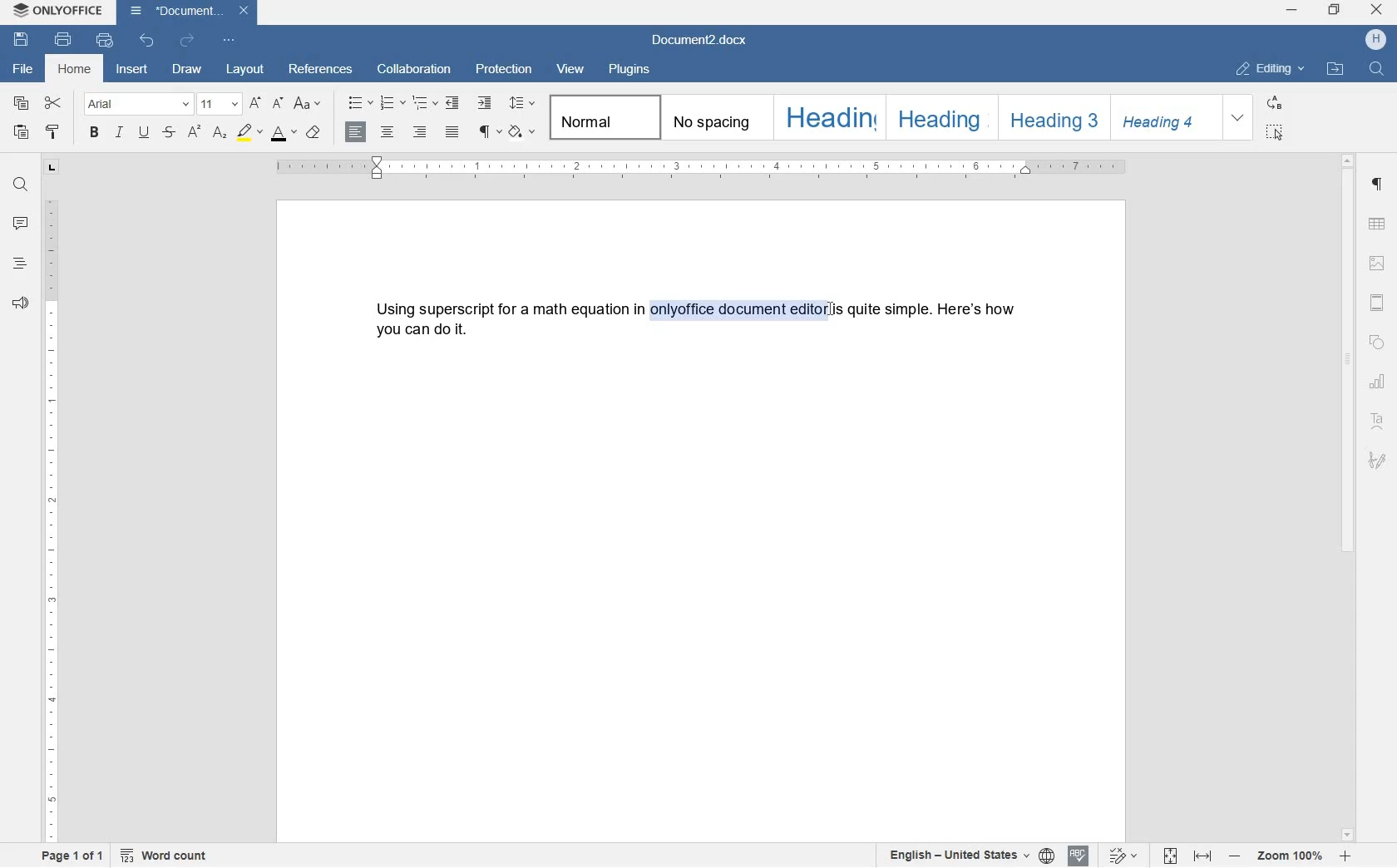 Image resolution: width=1397 pixels, height=868 pixels. Describe the element at coordinates (74, 858) in the screenshot. I see `page 1 of 1` at that location.